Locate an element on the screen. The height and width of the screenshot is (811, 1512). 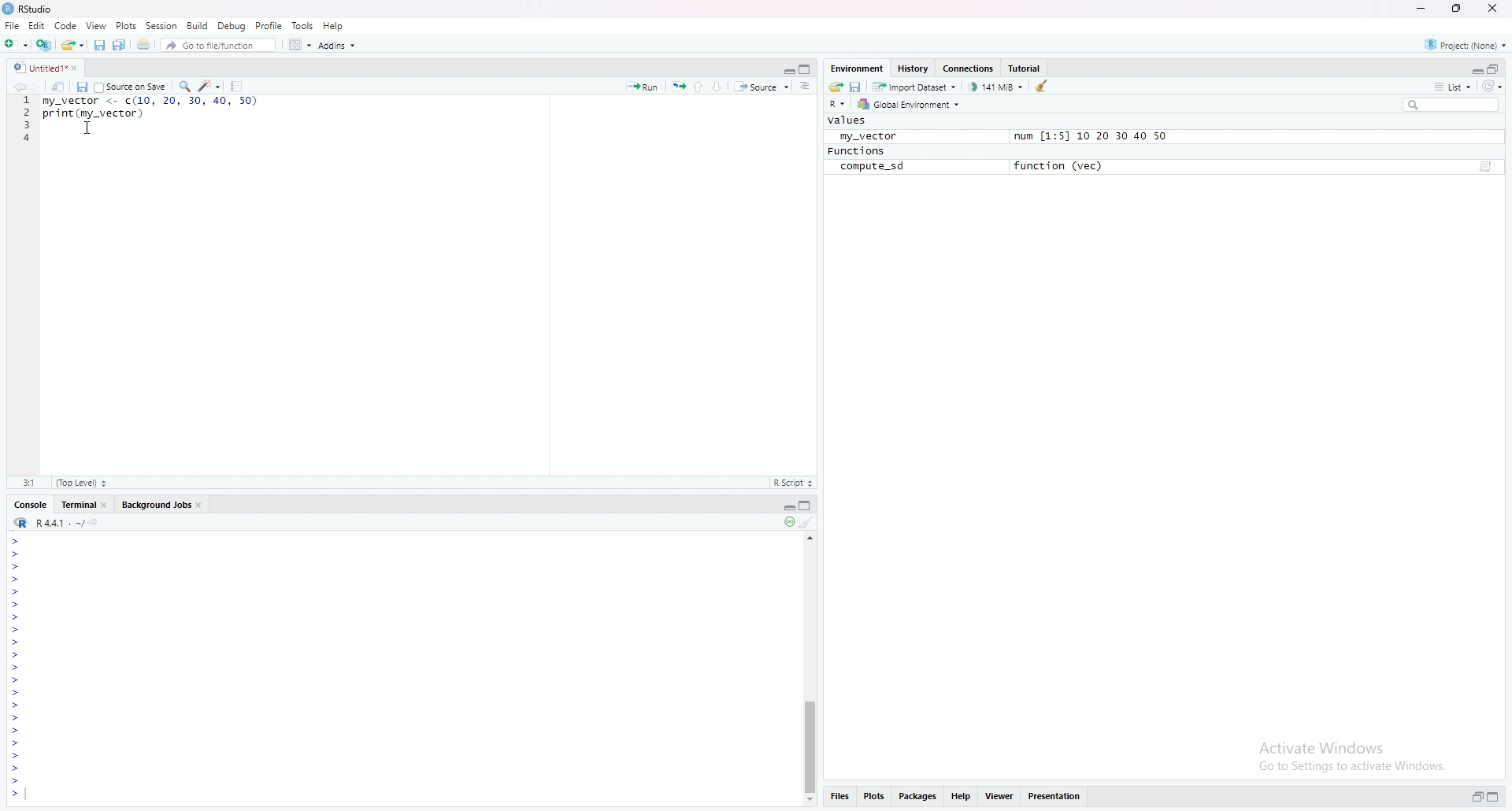
Load workspace is located at coordinates (836, 86).